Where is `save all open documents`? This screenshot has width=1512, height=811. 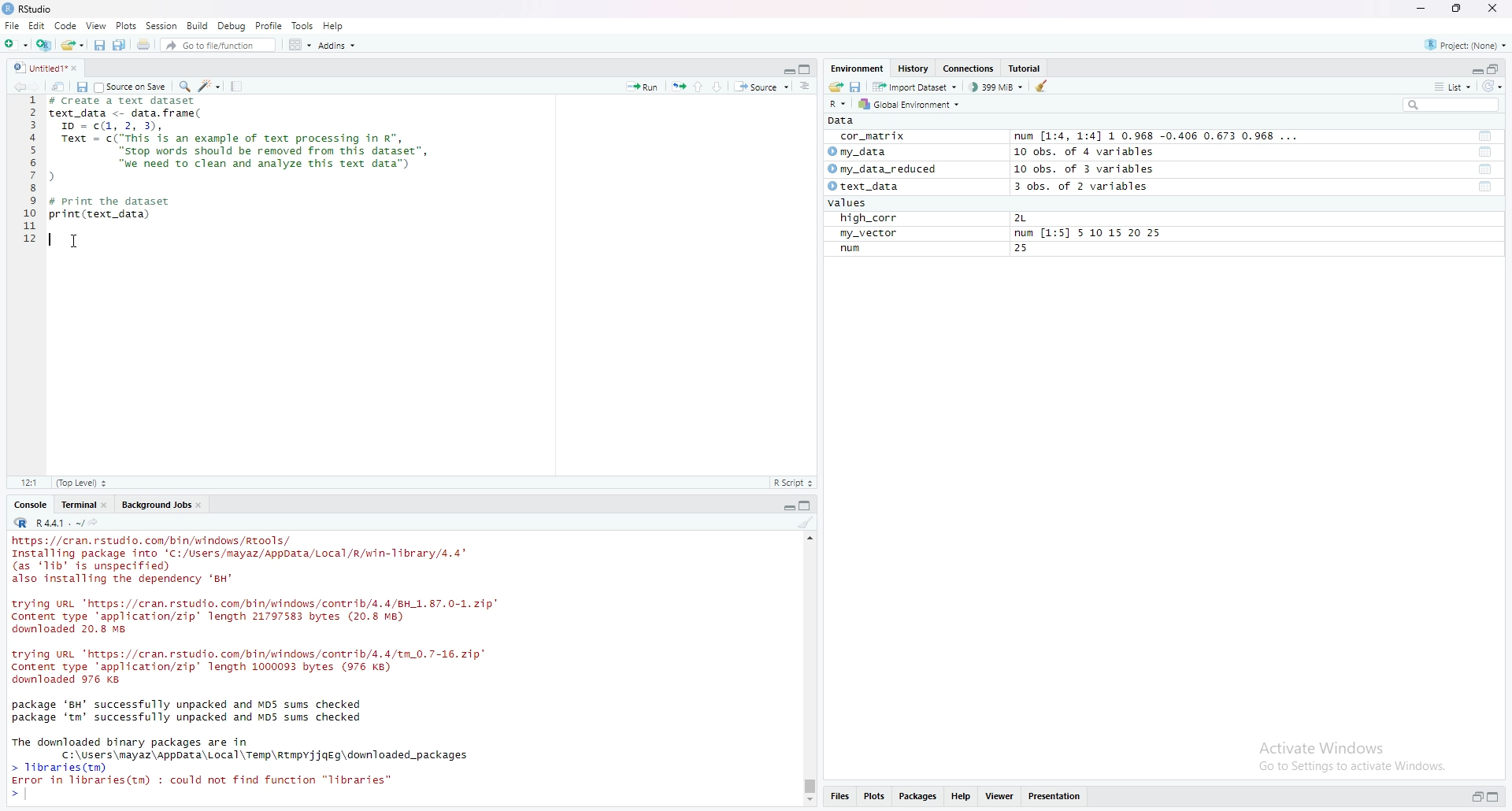
save all open documents is located at coordinates (124, 46).